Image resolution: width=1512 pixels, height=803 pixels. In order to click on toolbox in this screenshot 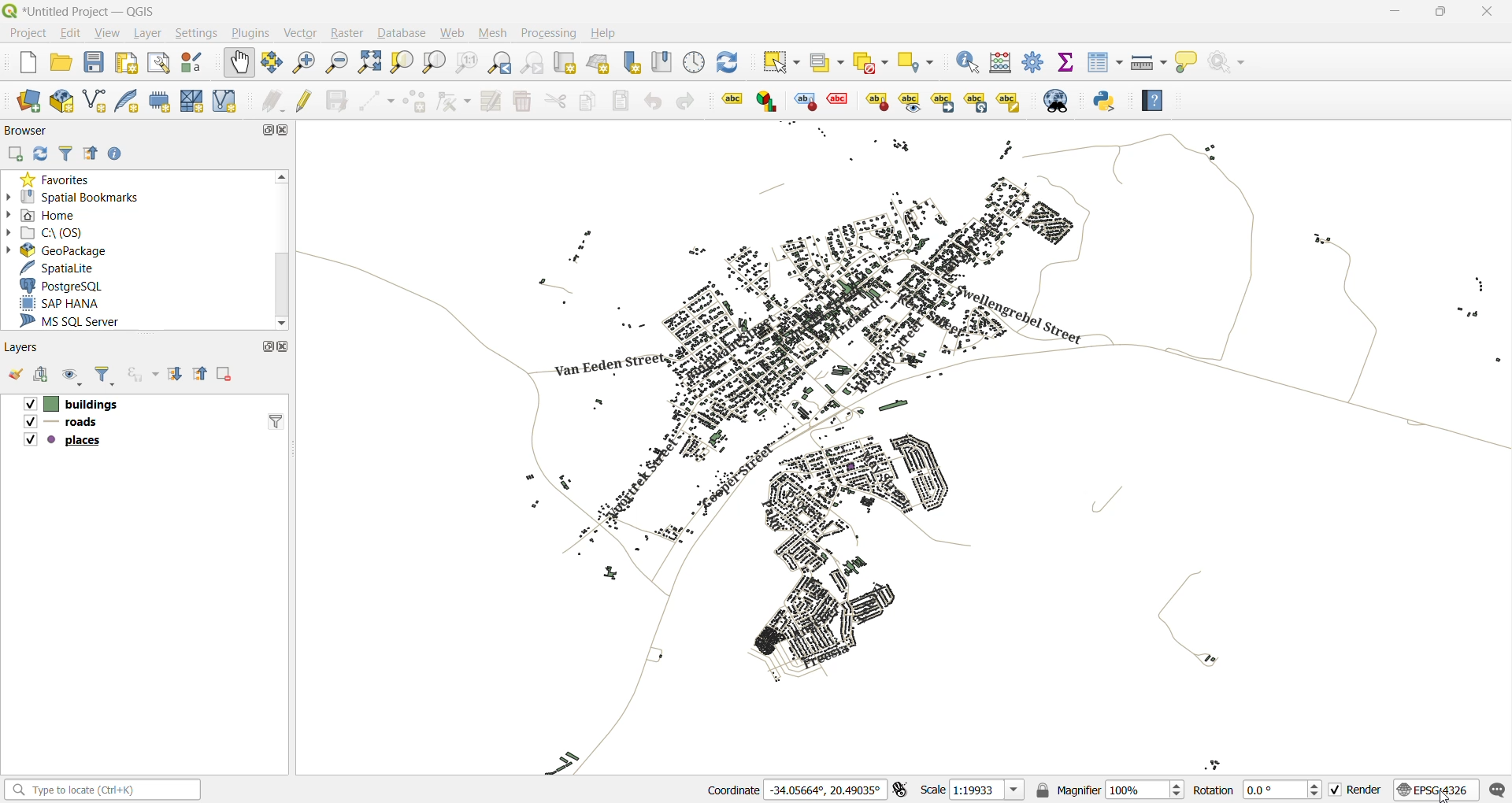, I will do `click(1031, 61)`.